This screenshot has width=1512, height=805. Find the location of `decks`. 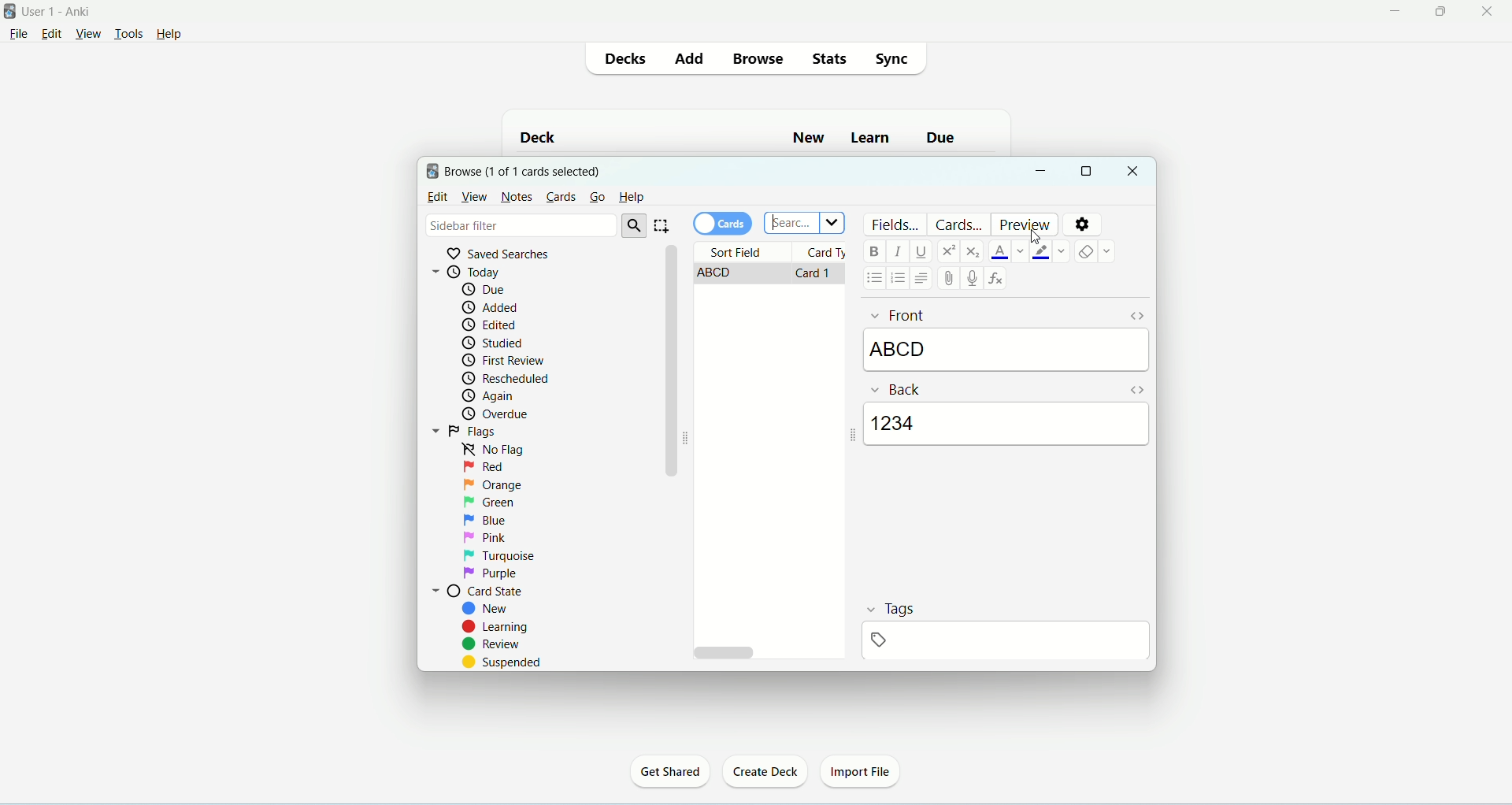

decks is located at coordinates (630, 59).